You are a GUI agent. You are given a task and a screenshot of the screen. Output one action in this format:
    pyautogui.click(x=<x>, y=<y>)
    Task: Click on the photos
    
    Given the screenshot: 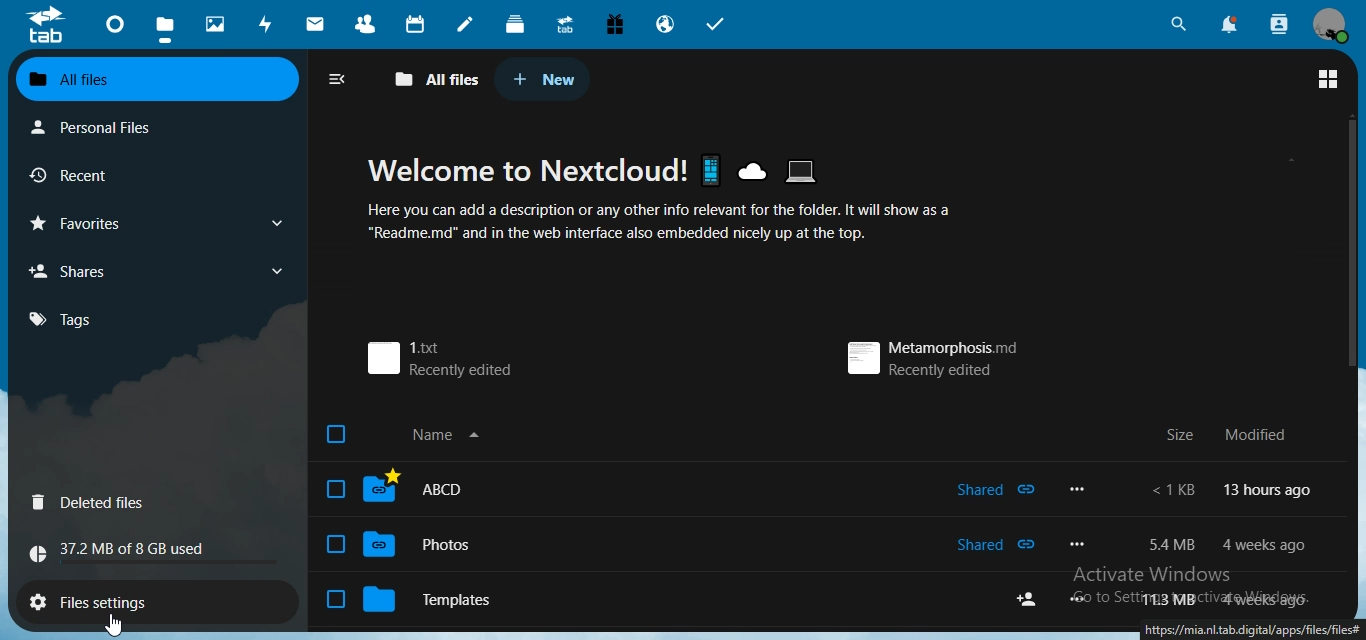 What is the action you would take?
    pyautogui.click(x=215, y=24)
    